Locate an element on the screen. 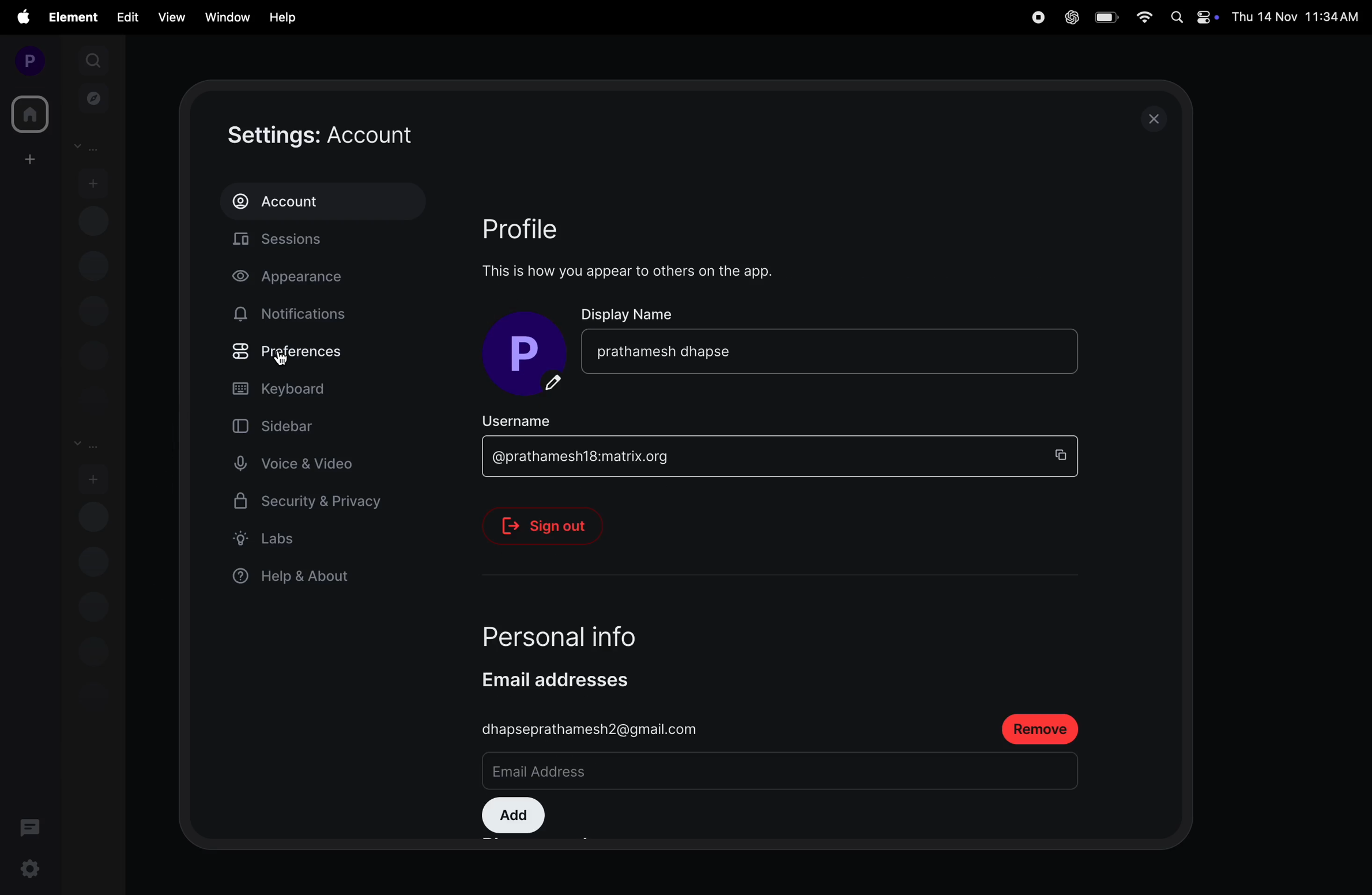 This screenshot has width=1372, height=895. security and privacy is located at coordinates (315, 501).